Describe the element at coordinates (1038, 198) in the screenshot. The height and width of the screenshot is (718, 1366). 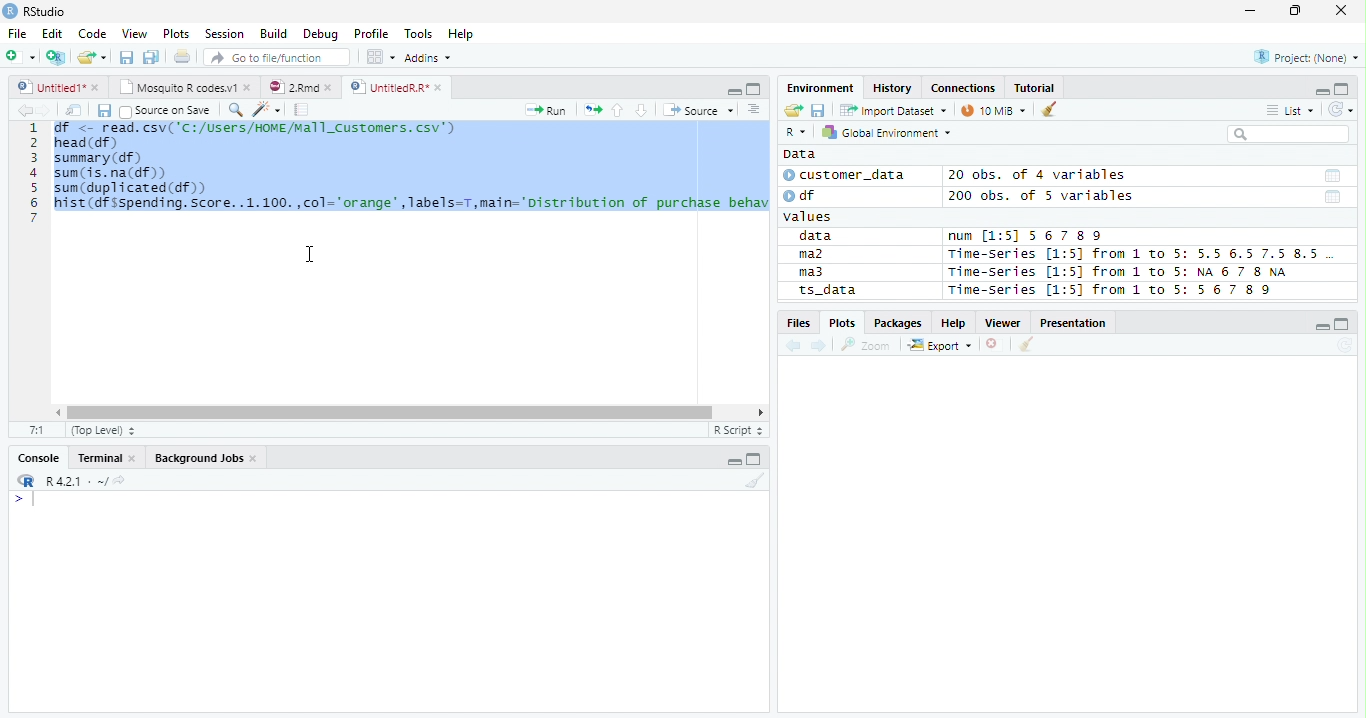
I see `200 obs. of 5 variables` at that location.